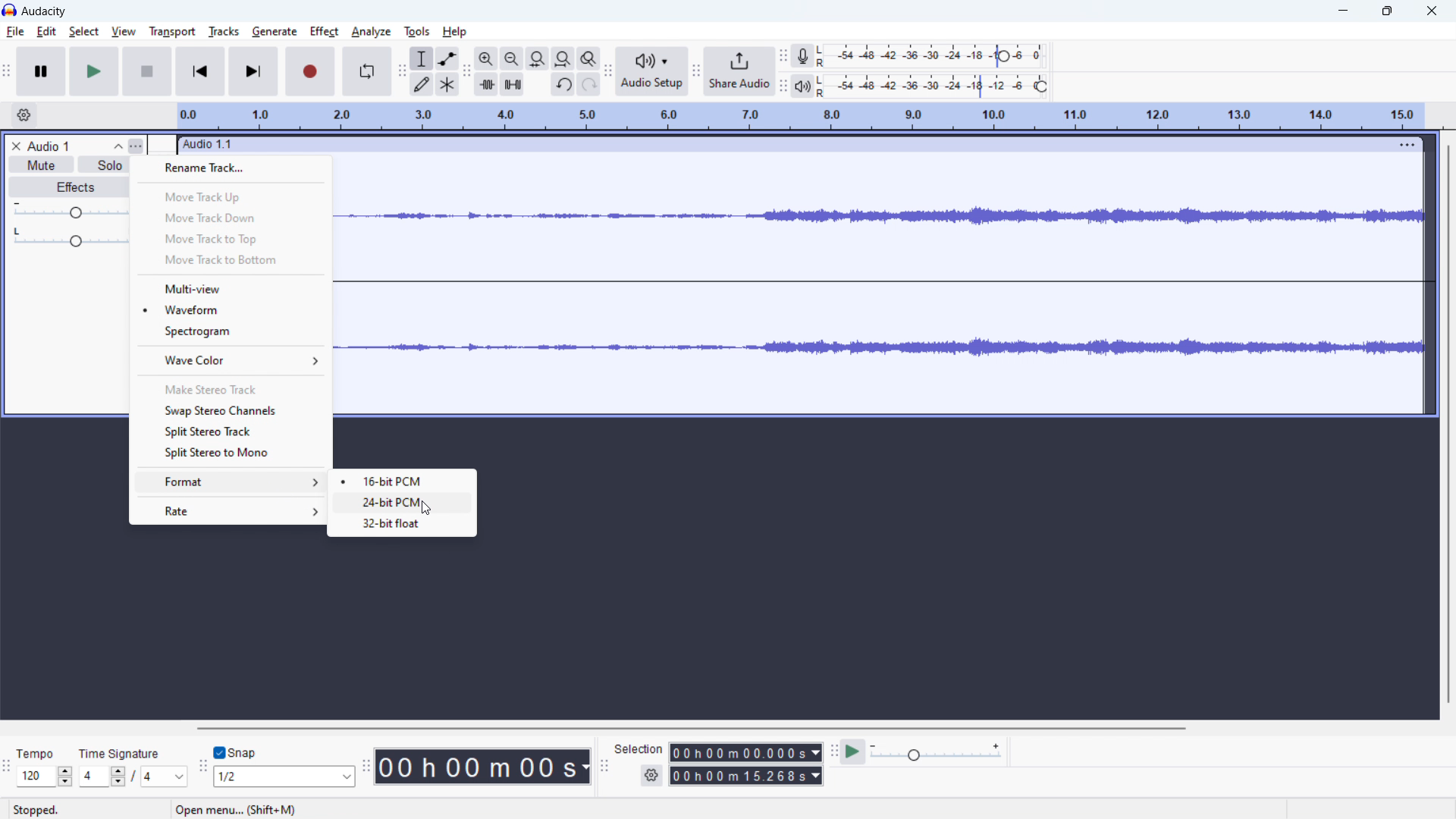 The height and width of the screenshot is (819, 1456). I want to click on view, so click(123, 32).